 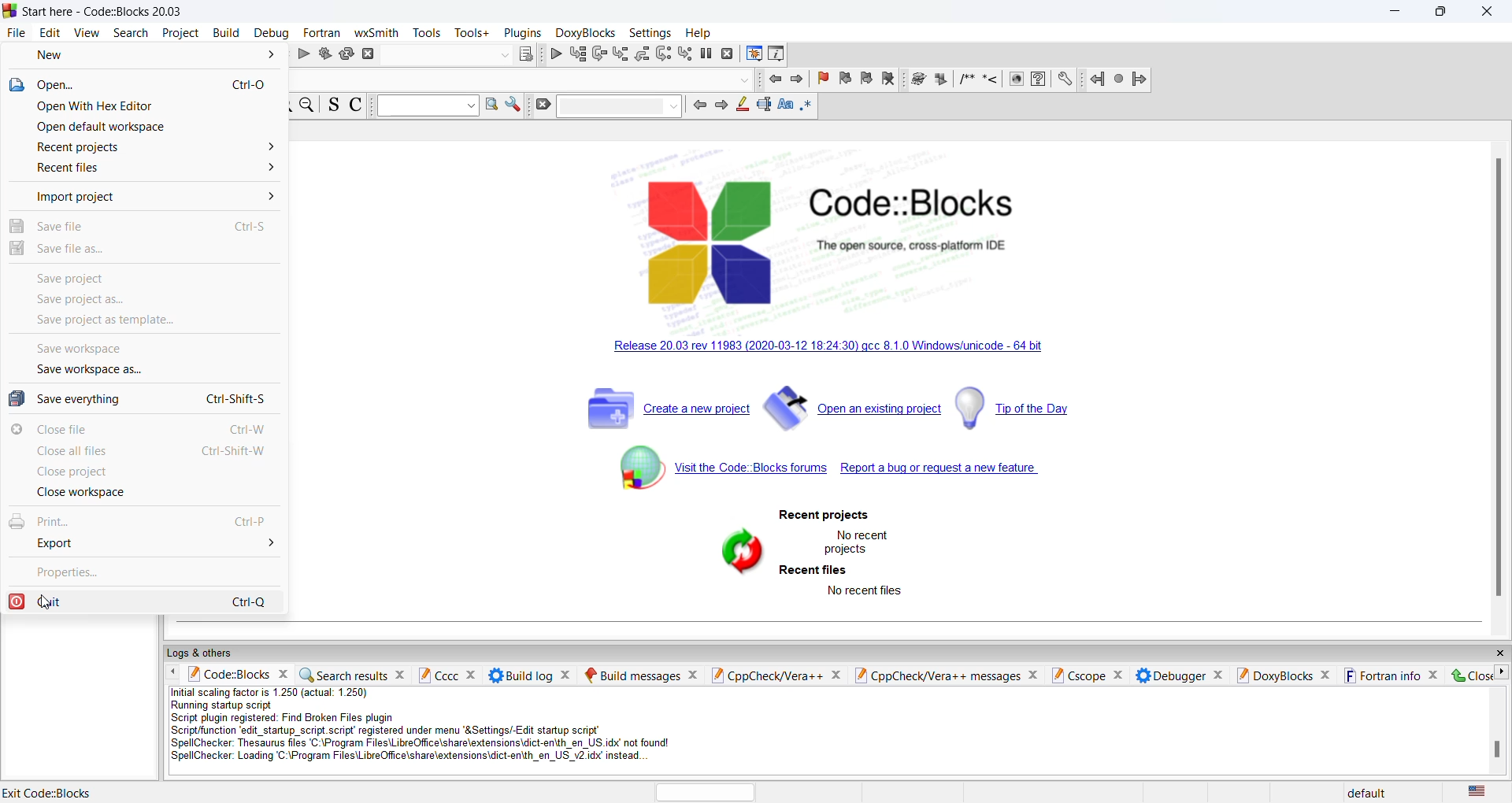 What do you see at coordinates (736, 551) in the screenshot?
I see `refresh` at bounding box center [736, 551].